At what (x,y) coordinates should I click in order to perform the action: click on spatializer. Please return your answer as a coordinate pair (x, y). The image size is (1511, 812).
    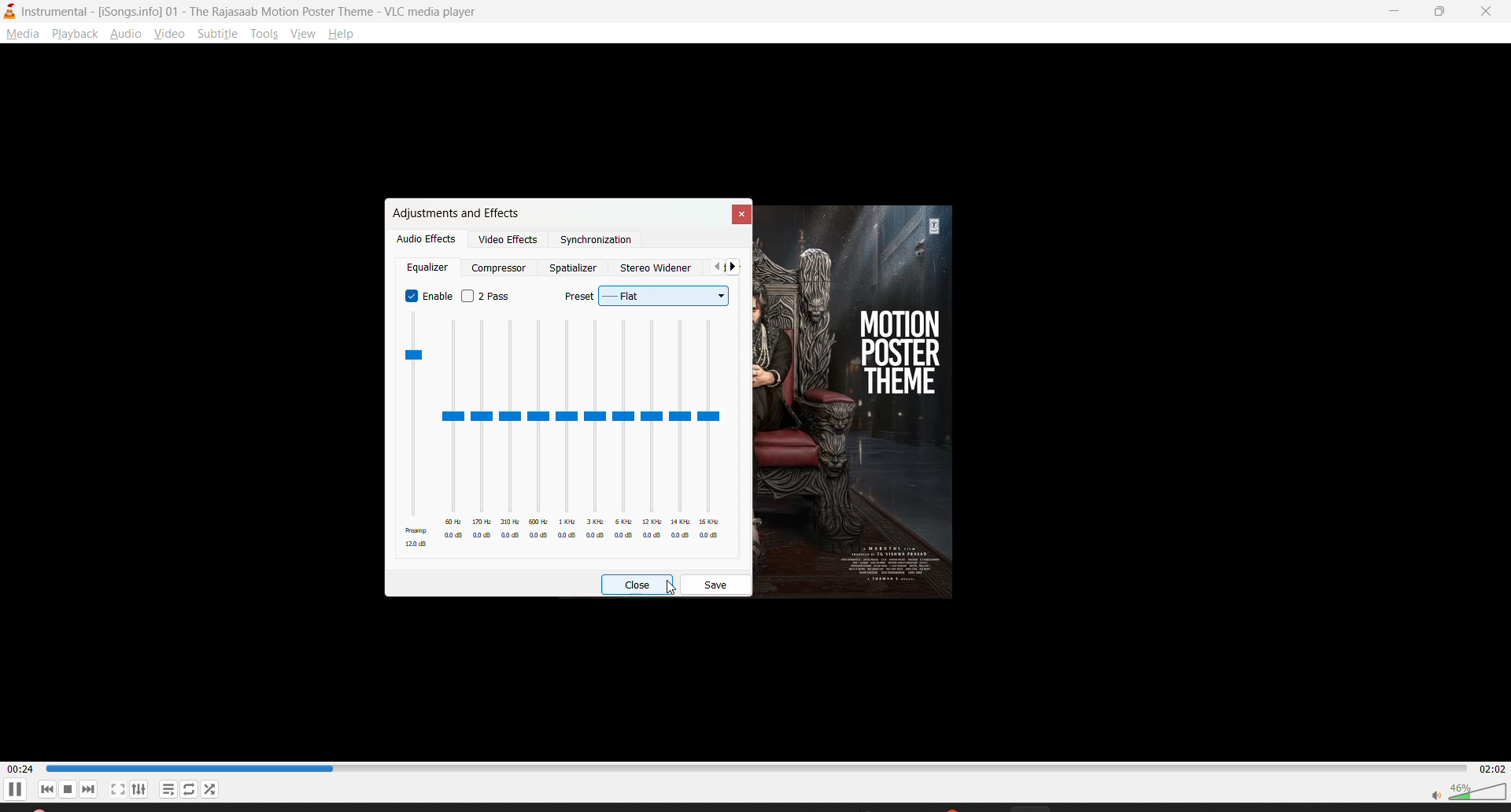
    Looking at the image, I should click on (573, 268).